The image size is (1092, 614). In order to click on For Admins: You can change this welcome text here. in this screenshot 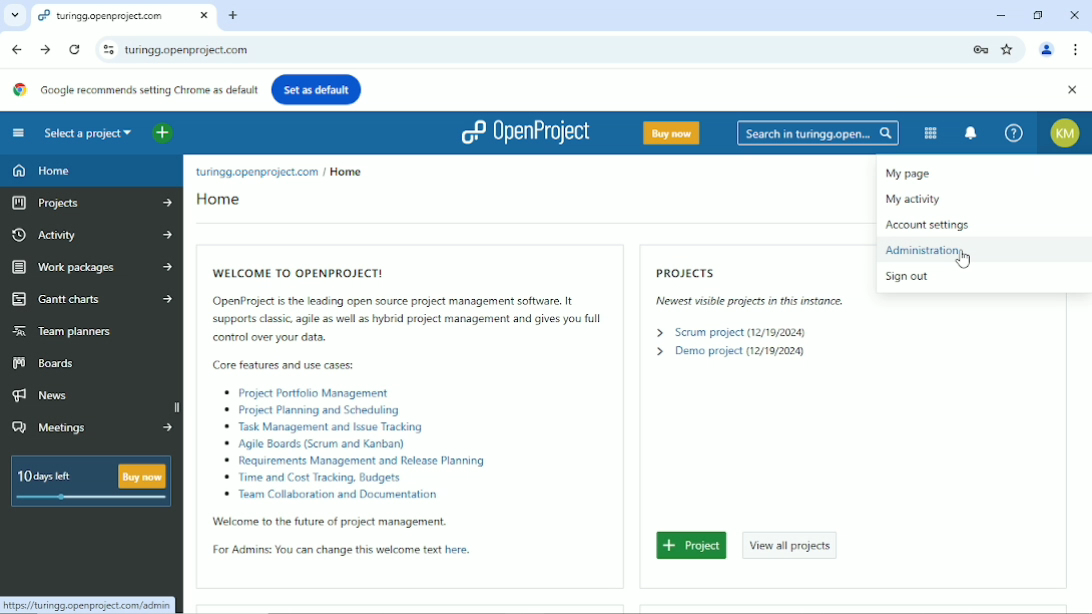, I will do `click(347, 550)`.